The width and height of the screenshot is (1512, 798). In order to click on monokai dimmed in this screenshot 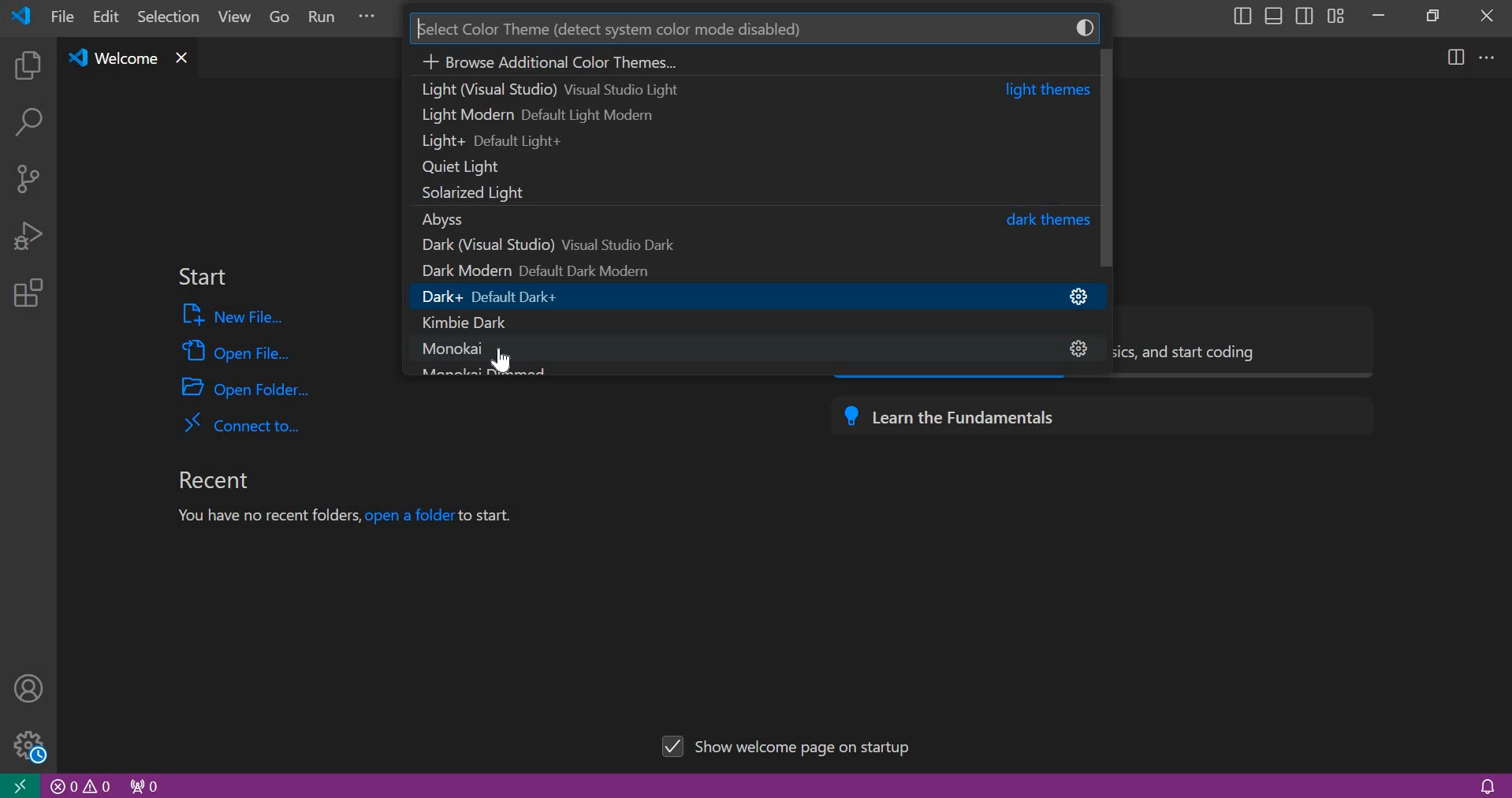, I will do `click(481, 371)`.